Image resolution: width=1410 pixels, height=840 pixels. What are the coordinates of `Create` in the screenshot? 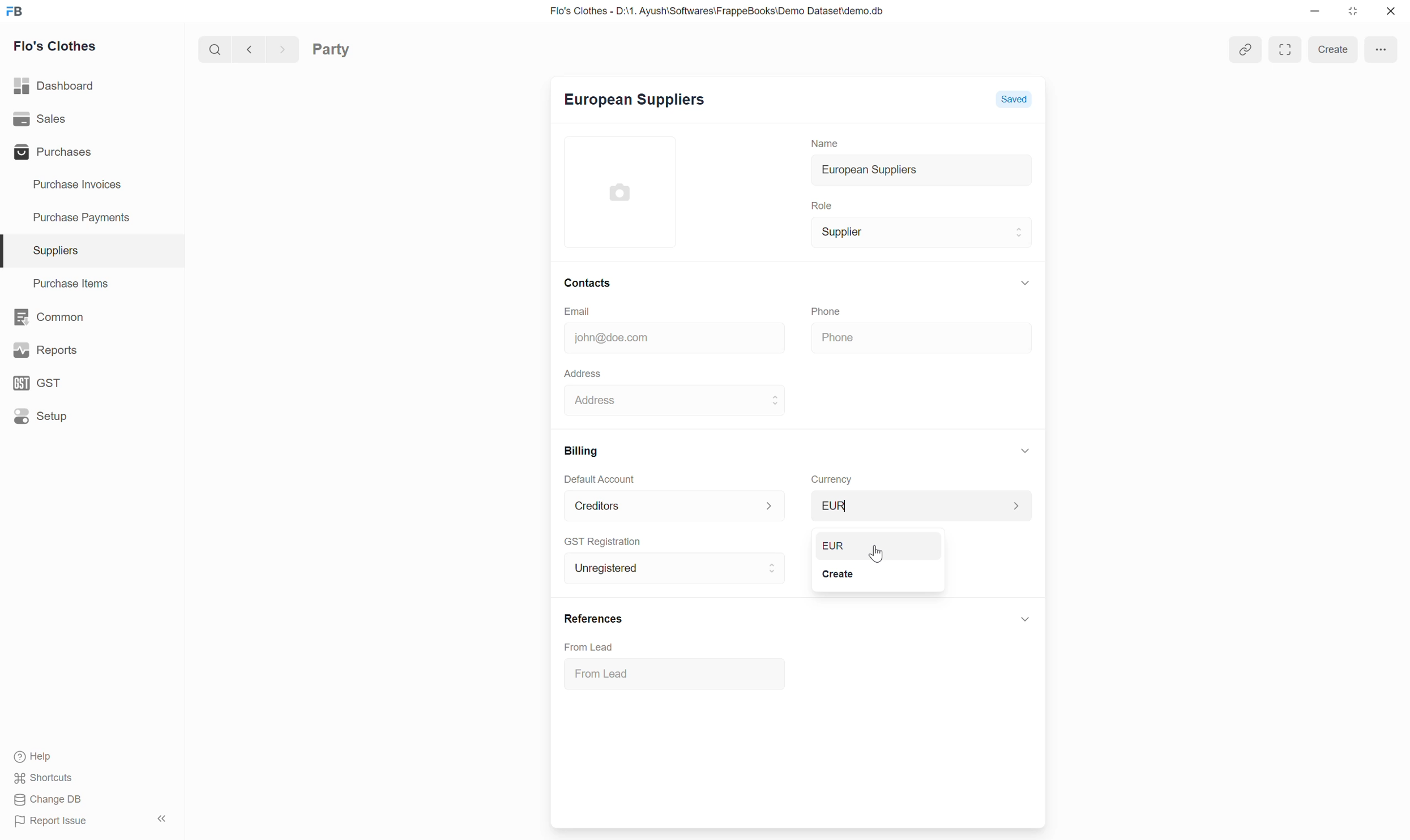 It's located at (841, 574).